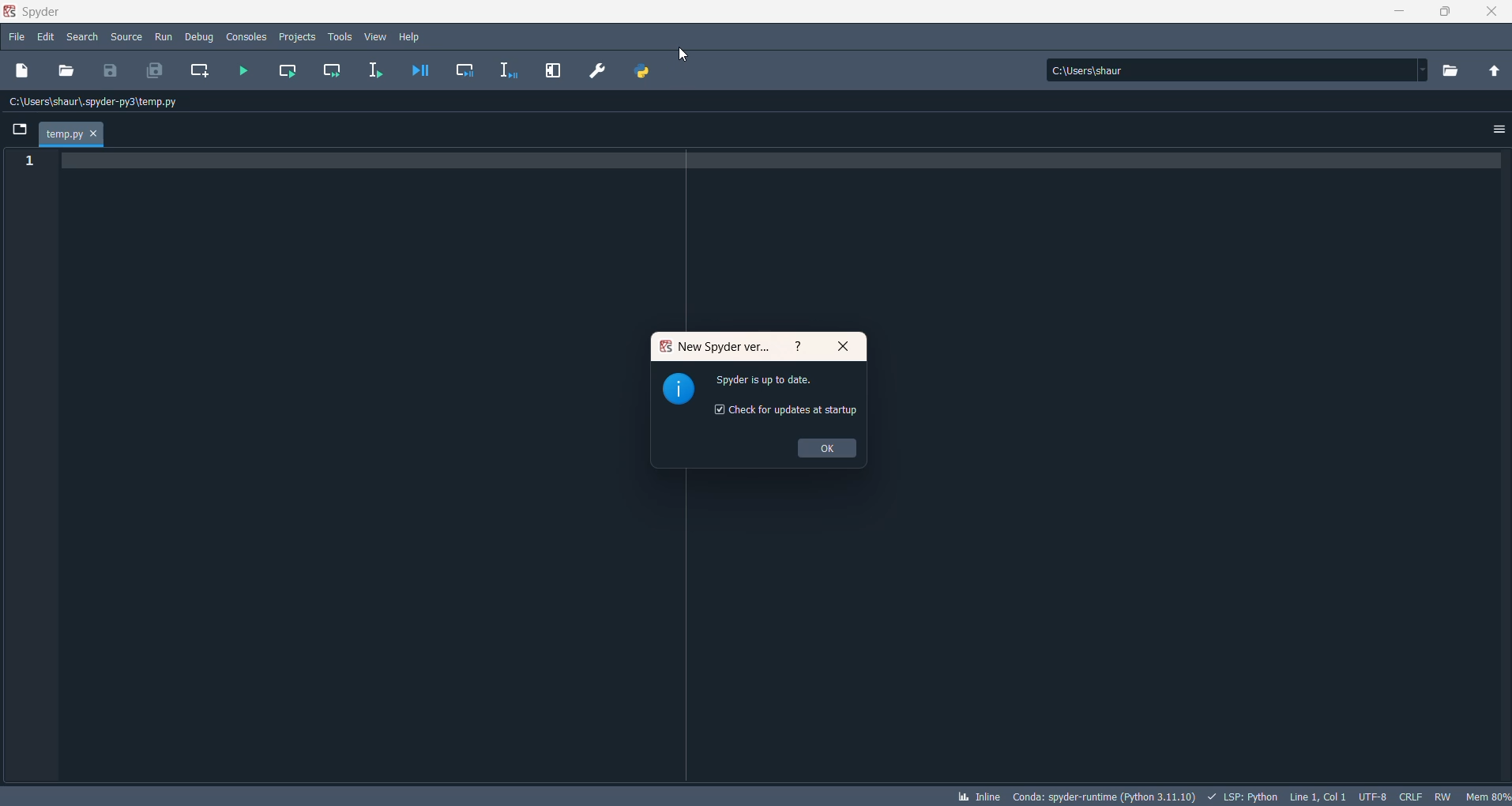 The width and height of the screenshot is (1512, 806). What do you see at coordinates (164, 37) in the screenshot?
I see `run` at bounding box center [164, 37].